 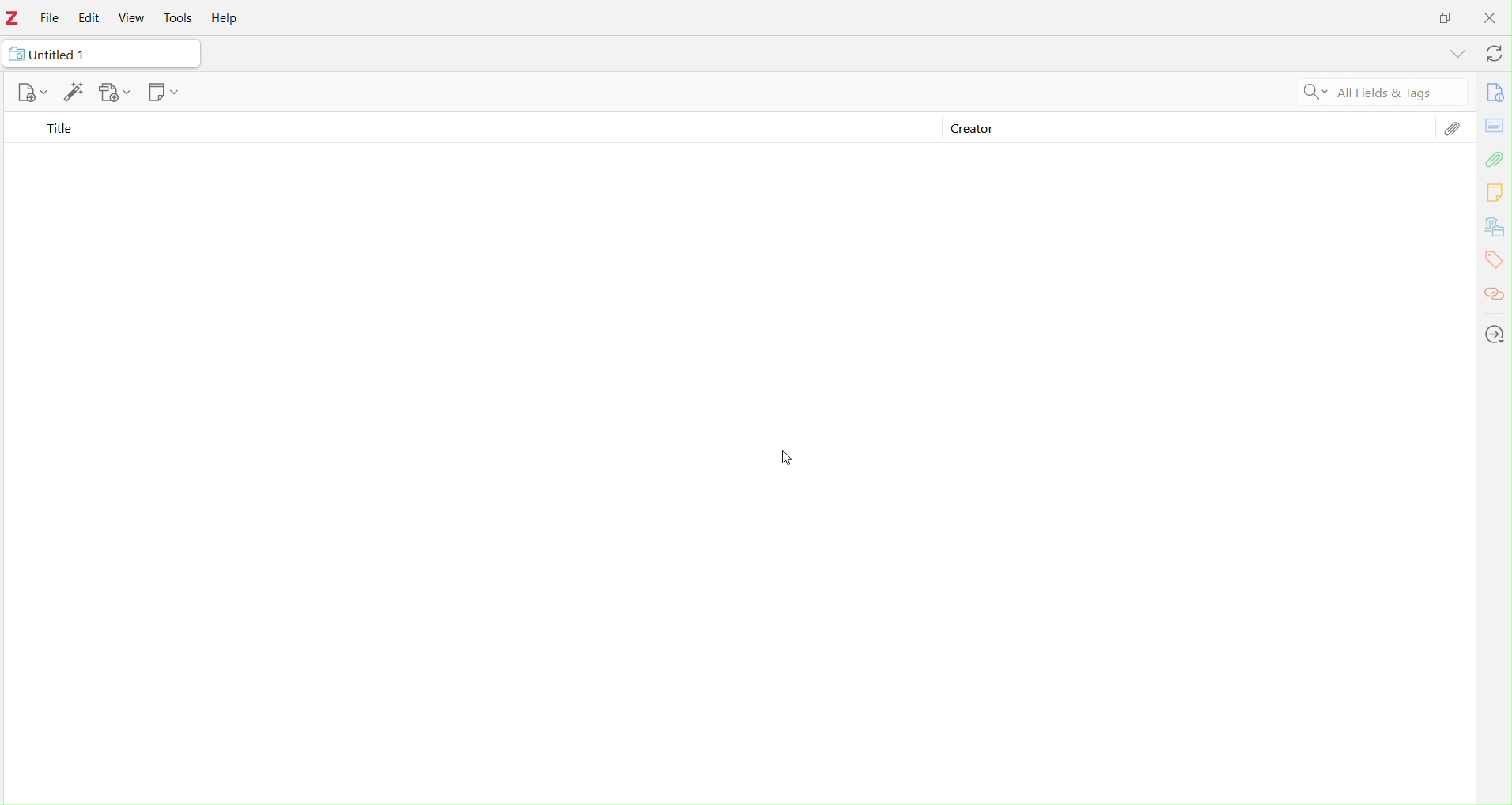 What do you see at coordinates (1494, 228) in the screenshot?
I see `Bibliography` at bounding box center [1494, 228].